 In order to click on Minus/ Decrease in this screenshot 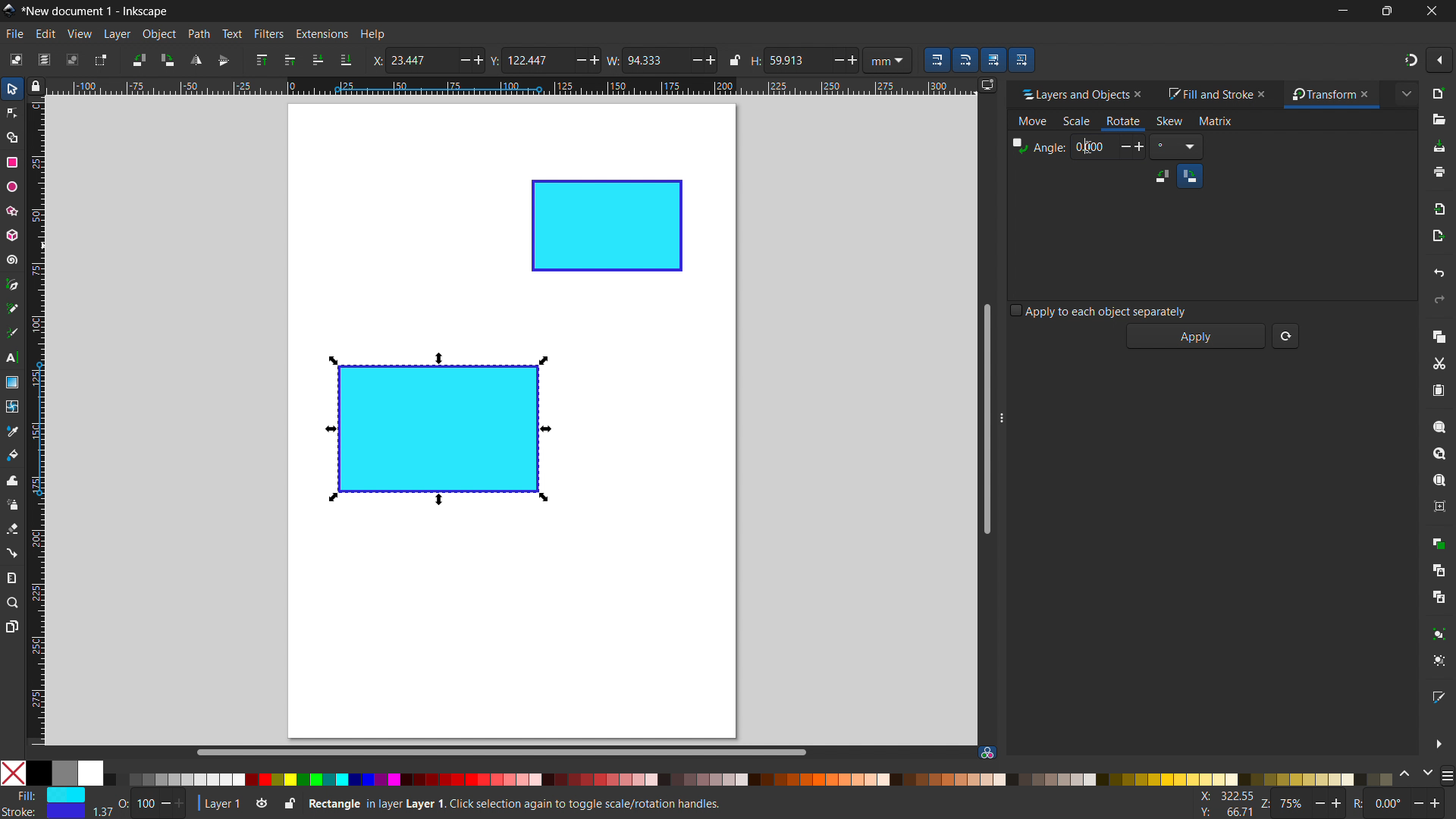, I will do `click(578, 59)`.